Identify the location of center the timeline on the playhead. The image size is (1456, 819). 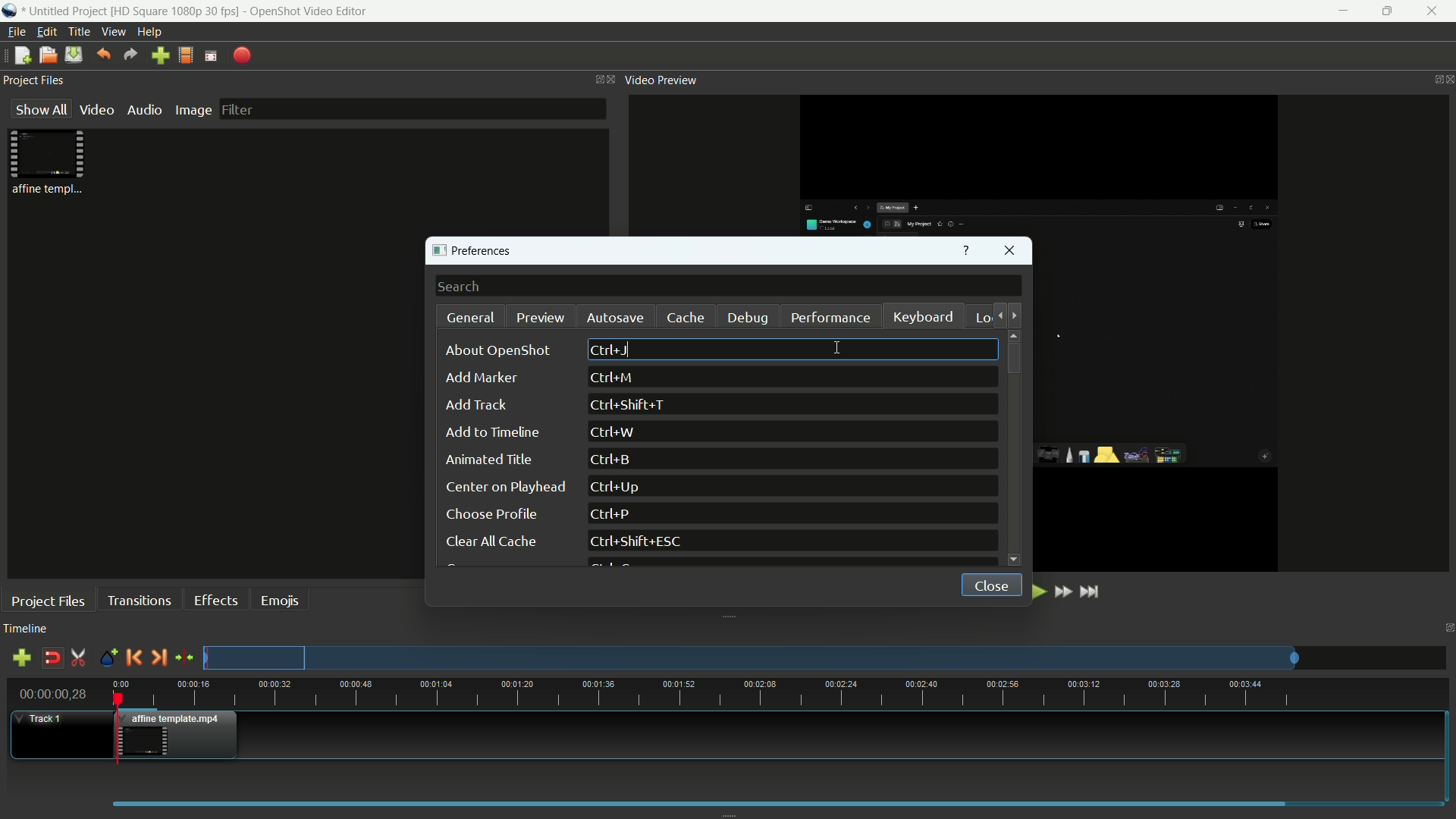
(184, 657).